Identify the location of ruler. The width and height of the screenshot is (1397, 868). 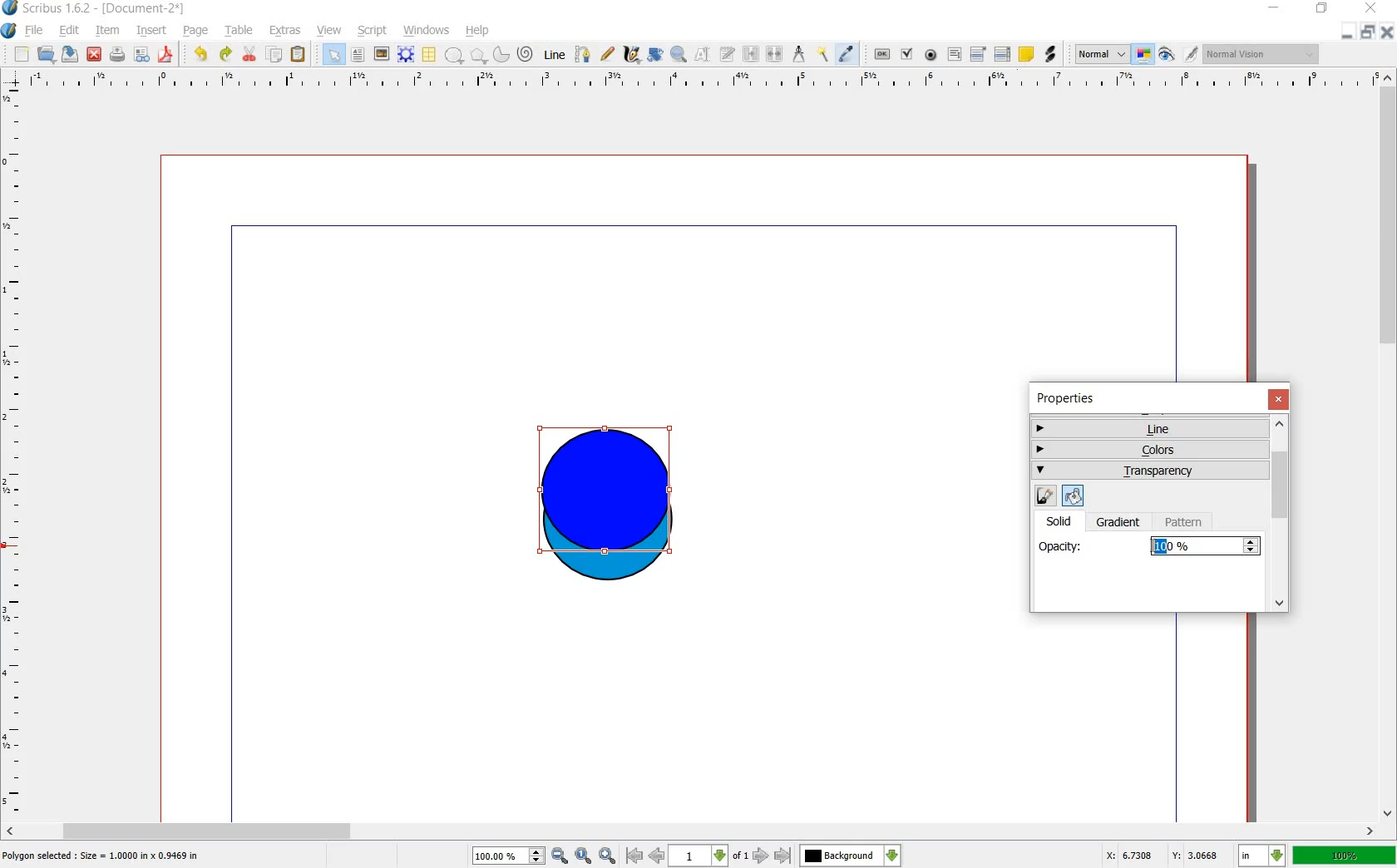
(701, 84).